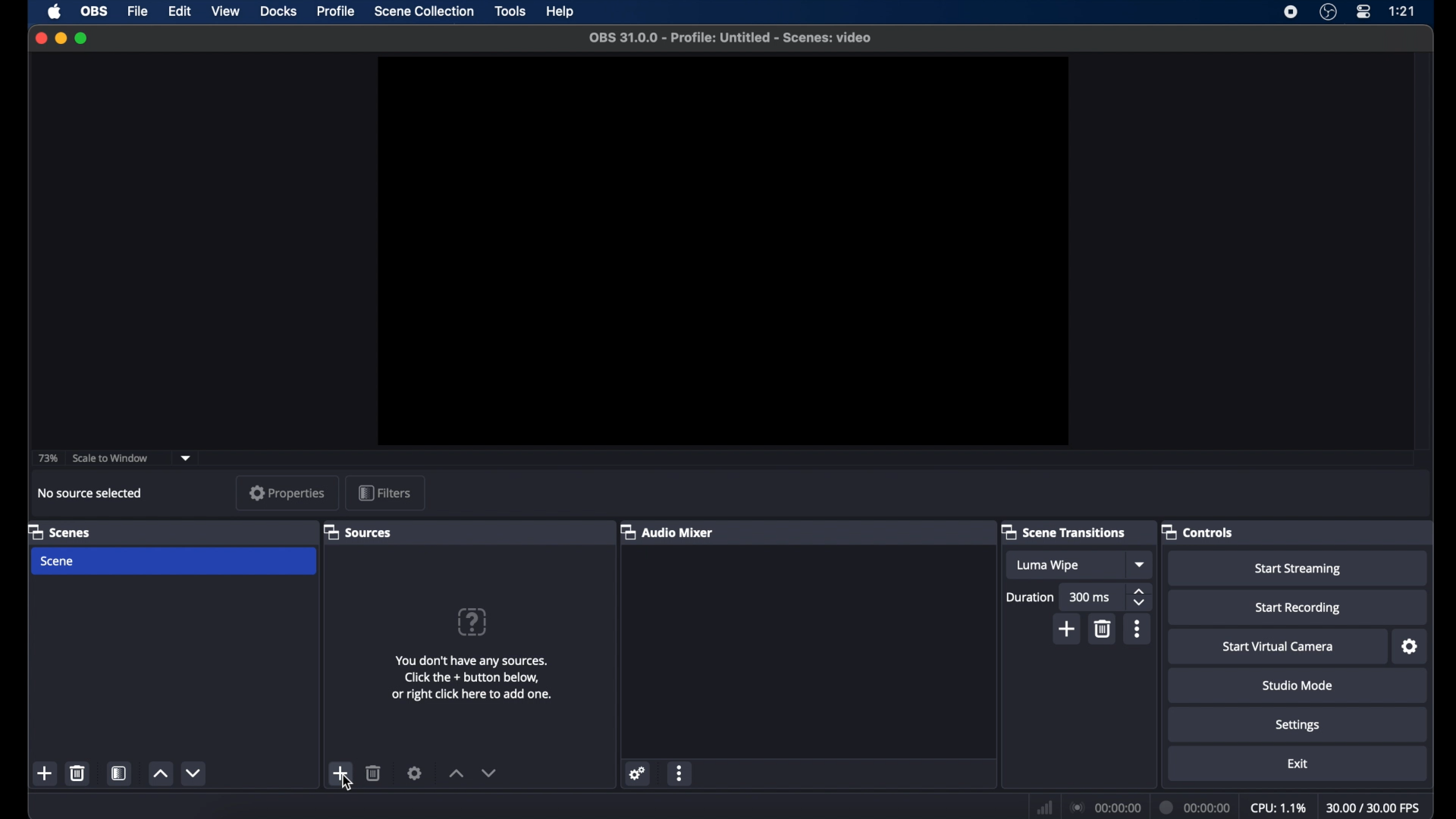  I want to click on preview, so click(724, 253).